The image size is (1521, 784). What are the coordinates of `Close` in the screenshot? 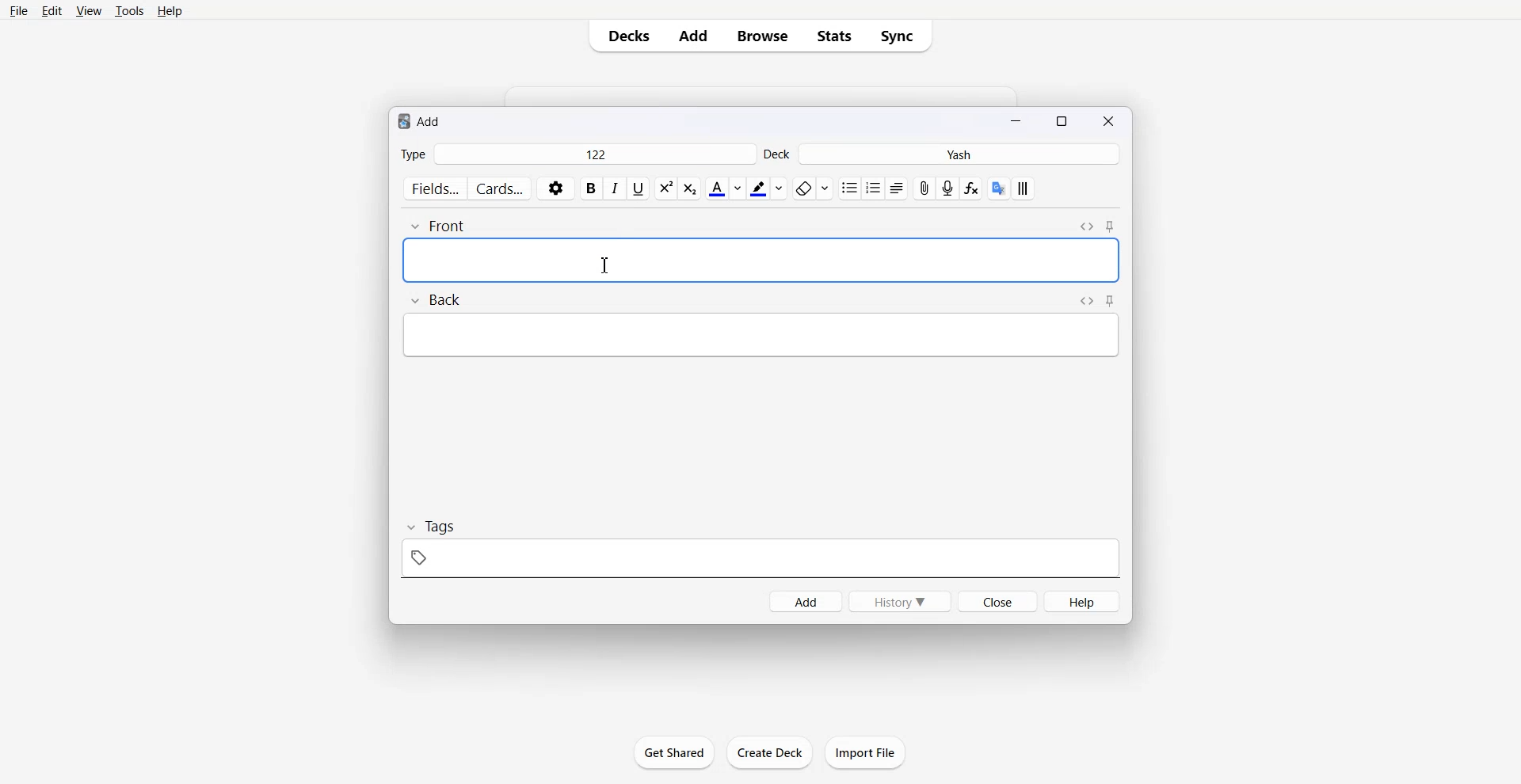 It's located at (997, 600).